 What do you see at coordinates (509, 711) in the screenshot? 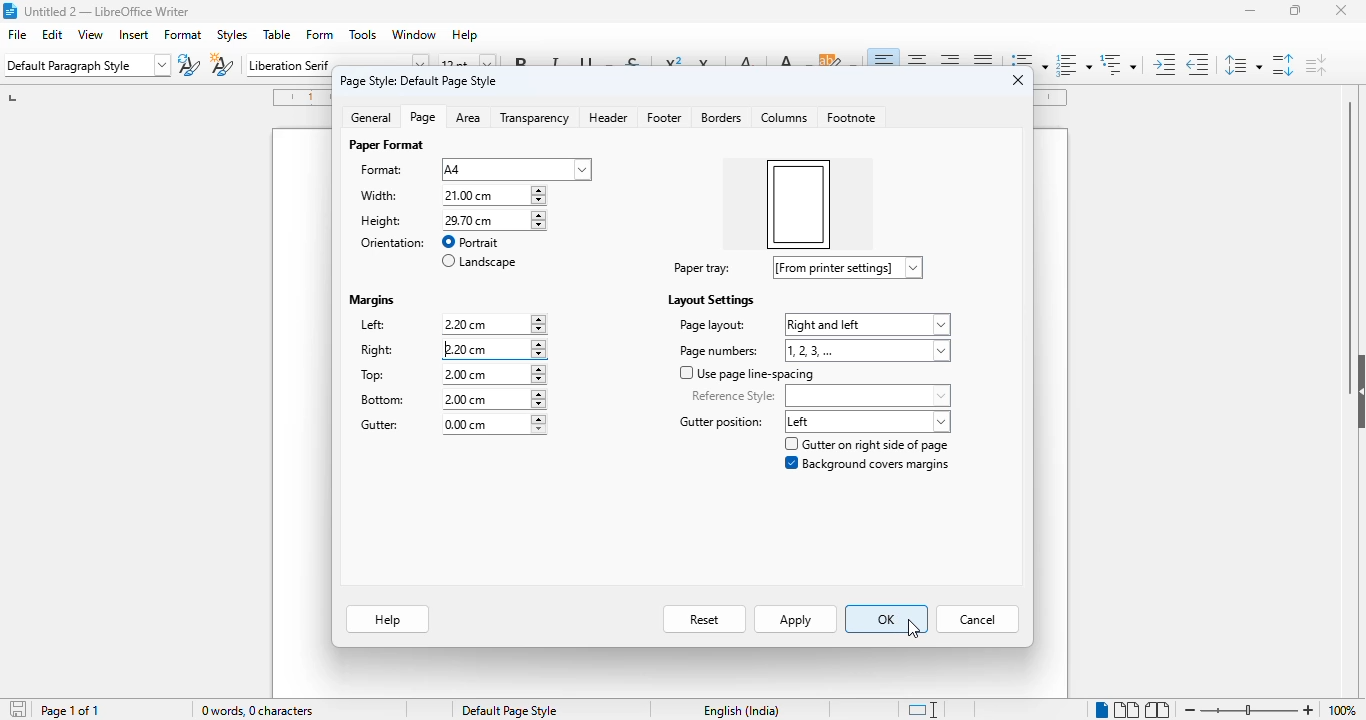
I see `default page style` at bounding box center [509, 711].